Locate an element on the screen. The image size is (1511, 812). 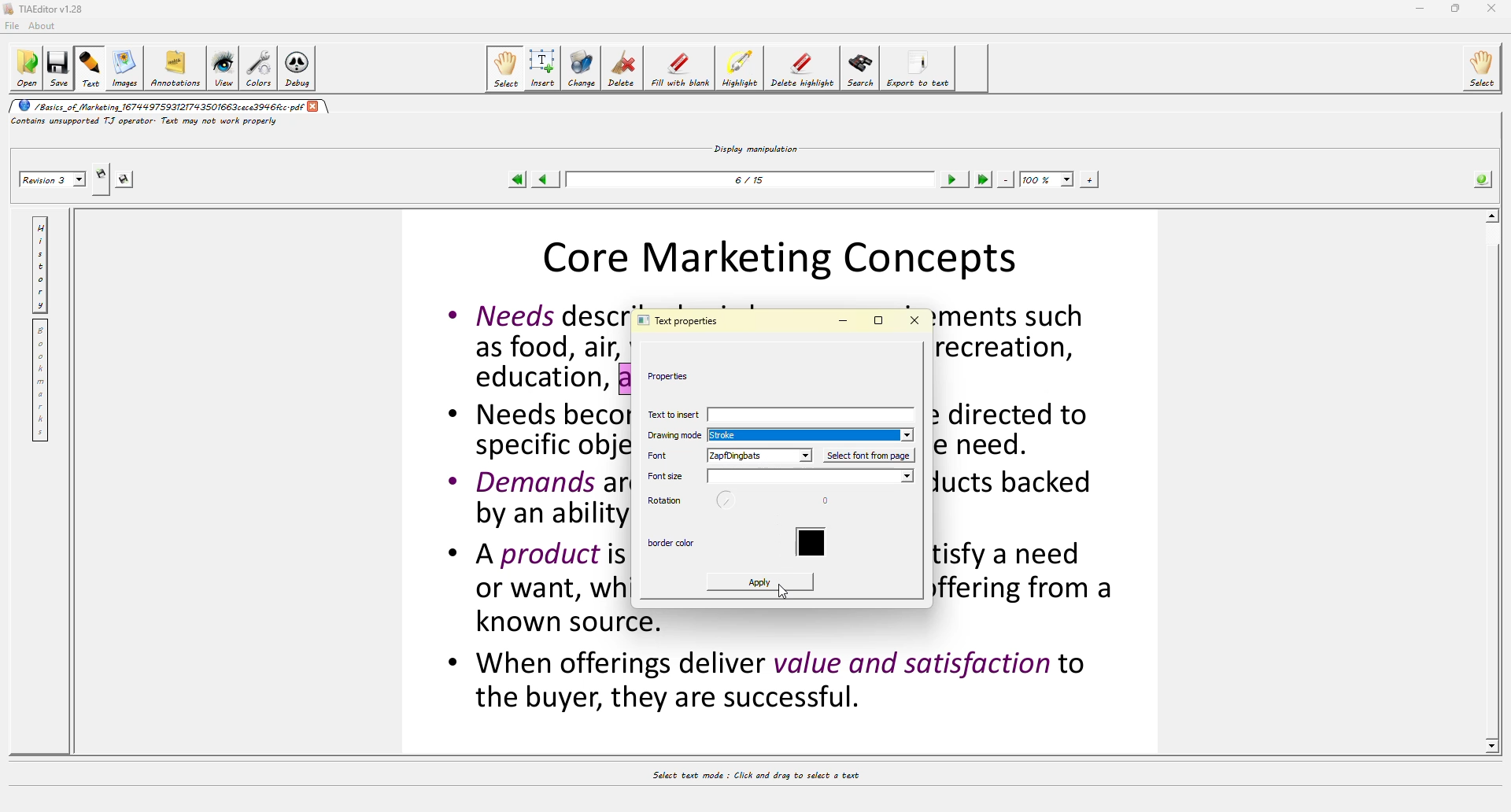
select text mode : Click and drag to select a text is located at coordinates (772, 777).